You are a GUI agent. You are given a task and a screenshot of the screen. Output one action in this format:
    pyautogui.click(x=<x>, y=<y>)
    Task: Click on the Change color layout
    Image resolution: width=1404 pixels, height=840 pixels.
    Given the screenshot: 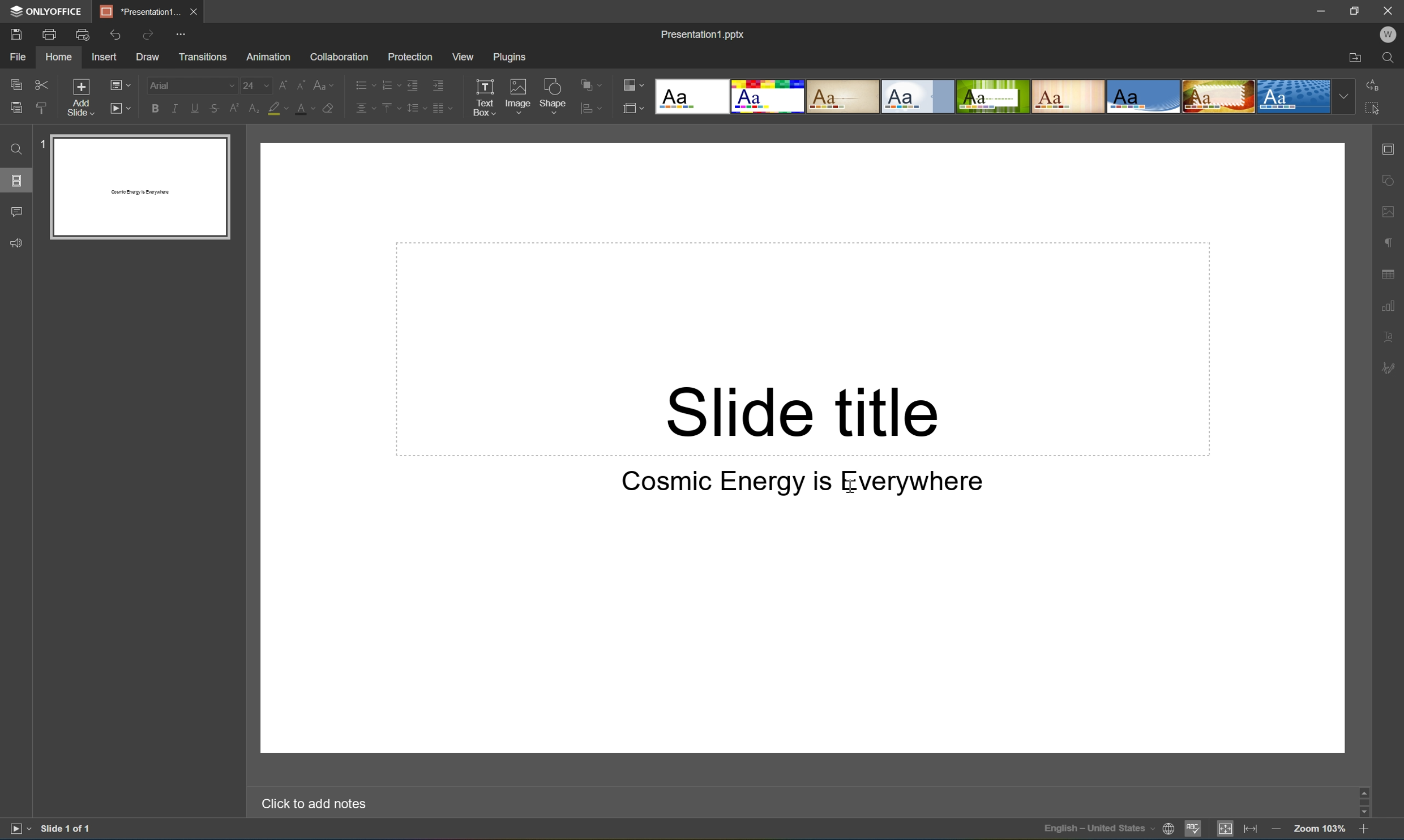 What is the action you would take?
    pyautogui.click(x=633, y=84)
    